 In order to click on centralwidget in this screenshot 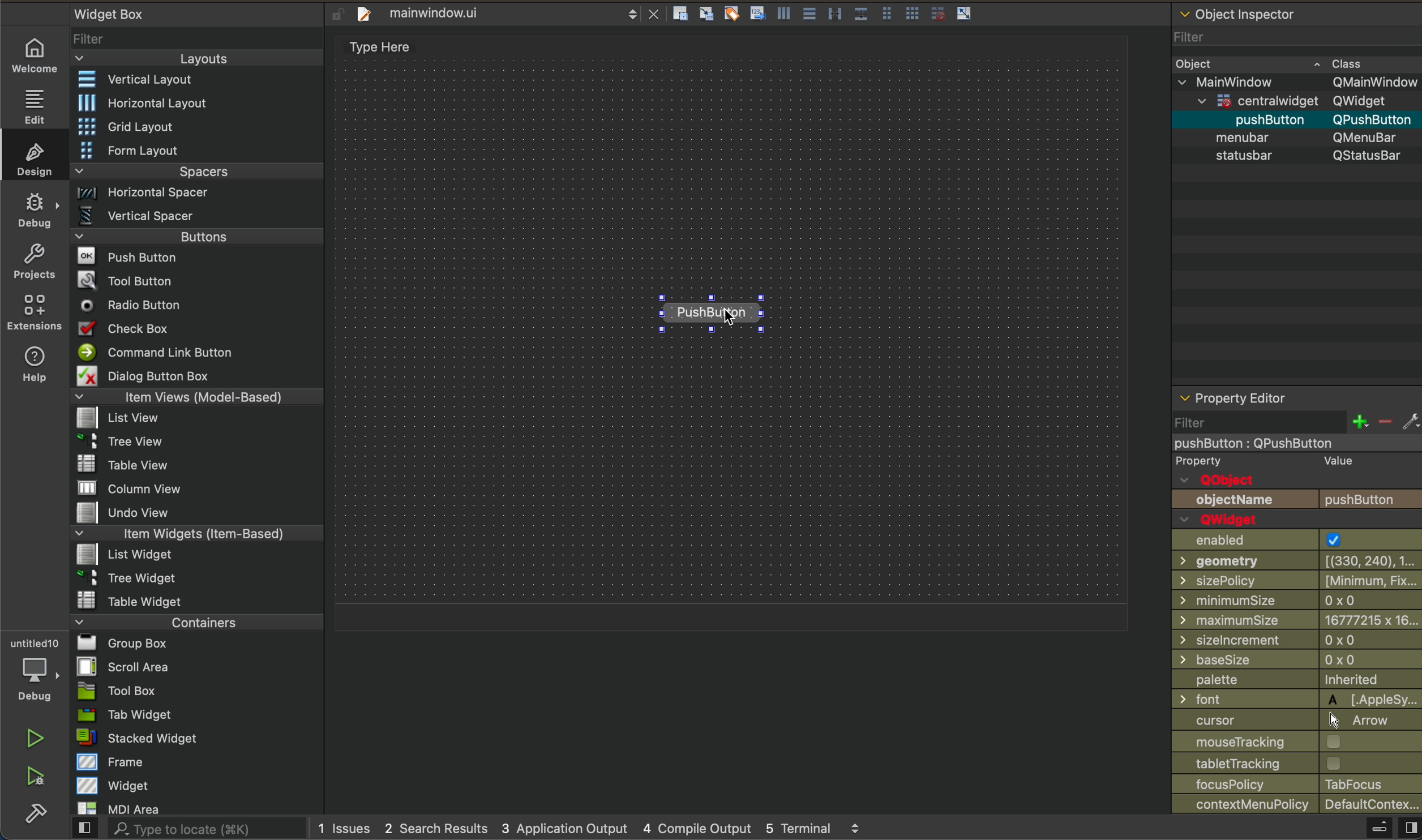, I will do `click(1293, 101)`.